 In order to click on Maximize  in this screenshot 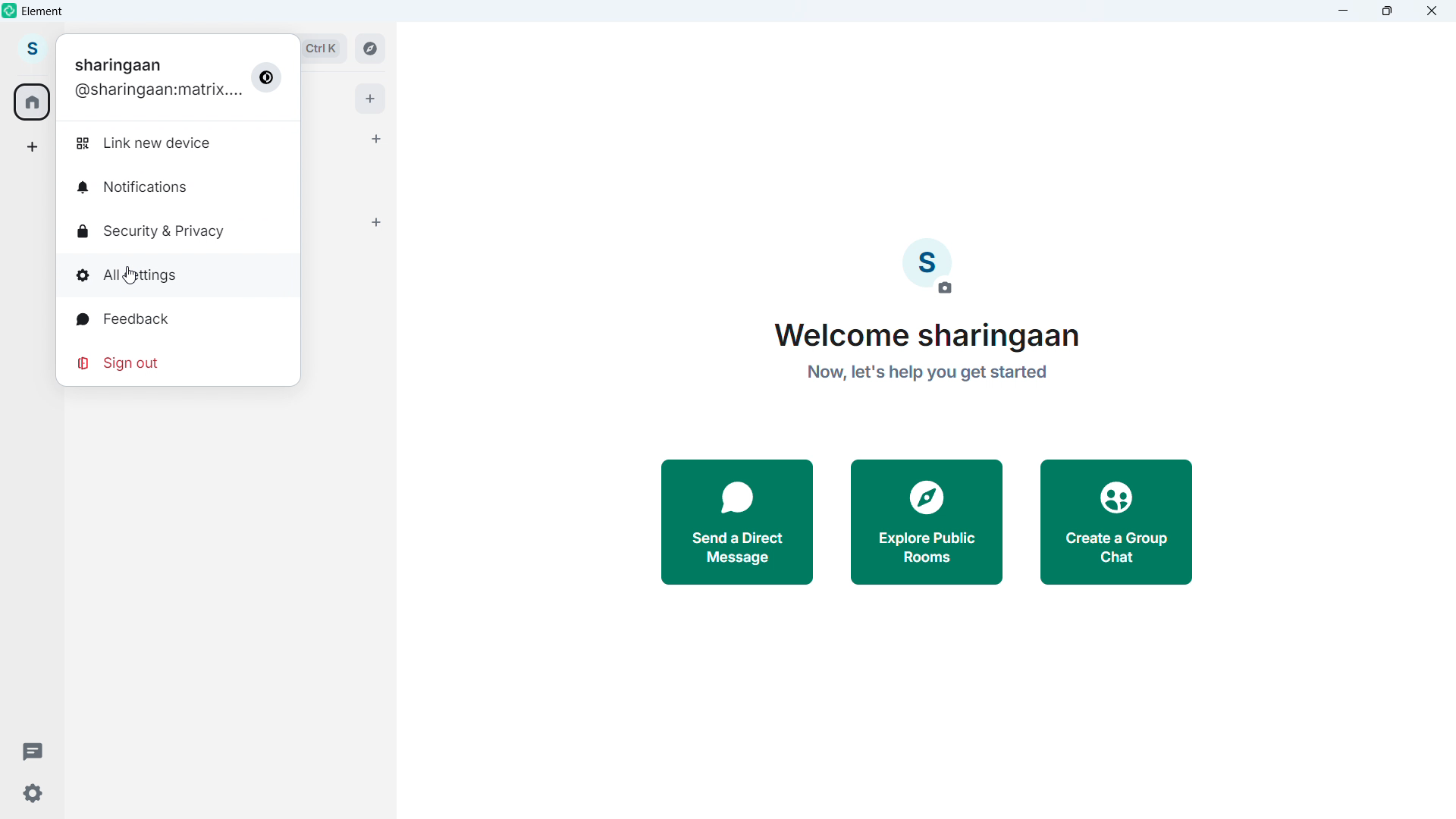, I will do `click(1388, 11)`.